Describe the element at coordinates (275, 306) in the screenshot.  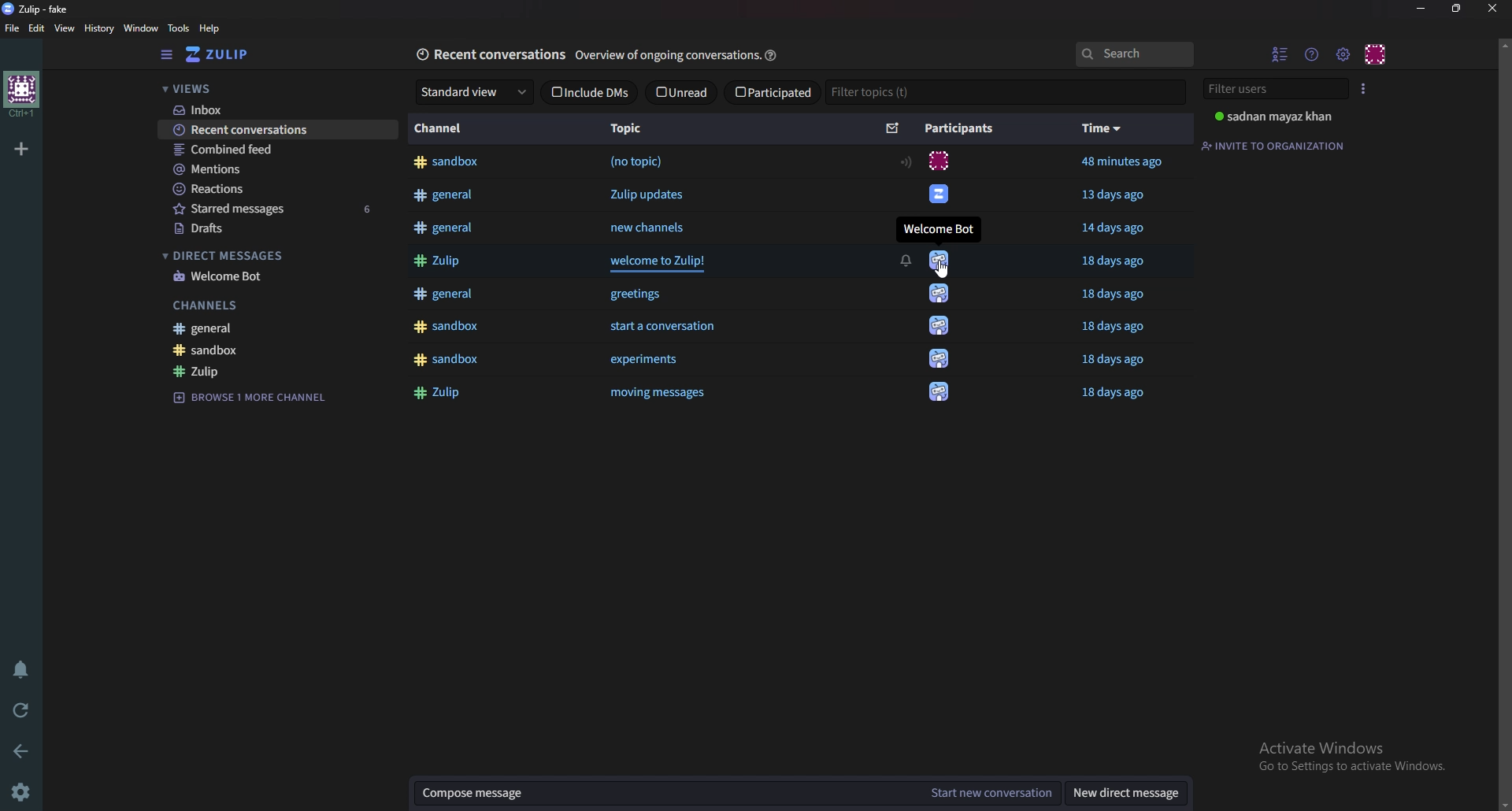
I see `Channels` at that location.